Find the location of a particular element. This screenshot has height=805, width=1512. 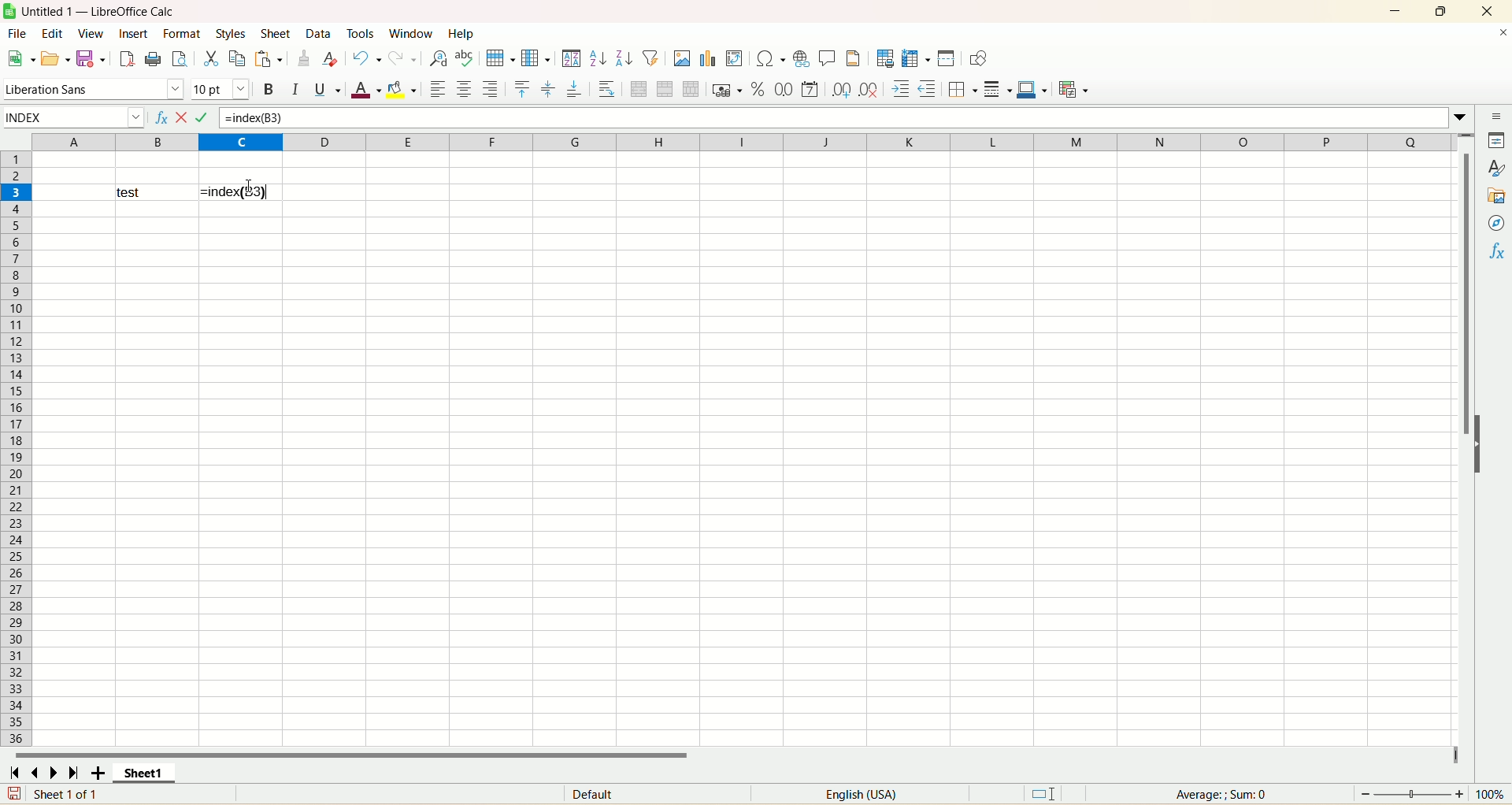

cut is located at coordinates (211, 58).